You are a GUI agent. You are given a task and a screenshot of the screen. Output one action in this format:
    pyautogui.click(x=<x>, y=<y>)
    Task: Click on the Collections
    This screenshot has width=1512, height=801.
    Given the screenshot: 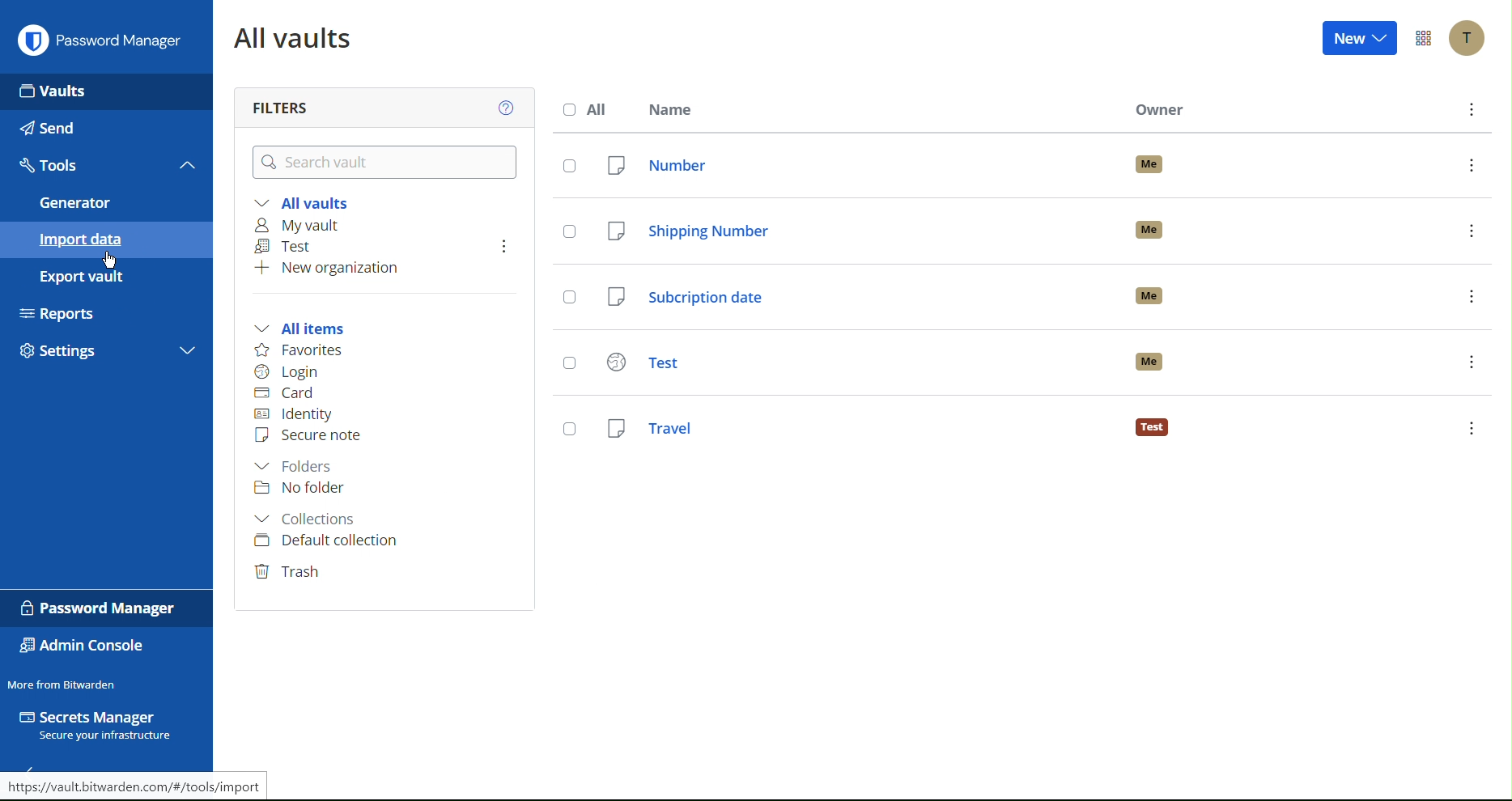 What is the action you would take?
    pyautogui.click(x=308, y=518)
    